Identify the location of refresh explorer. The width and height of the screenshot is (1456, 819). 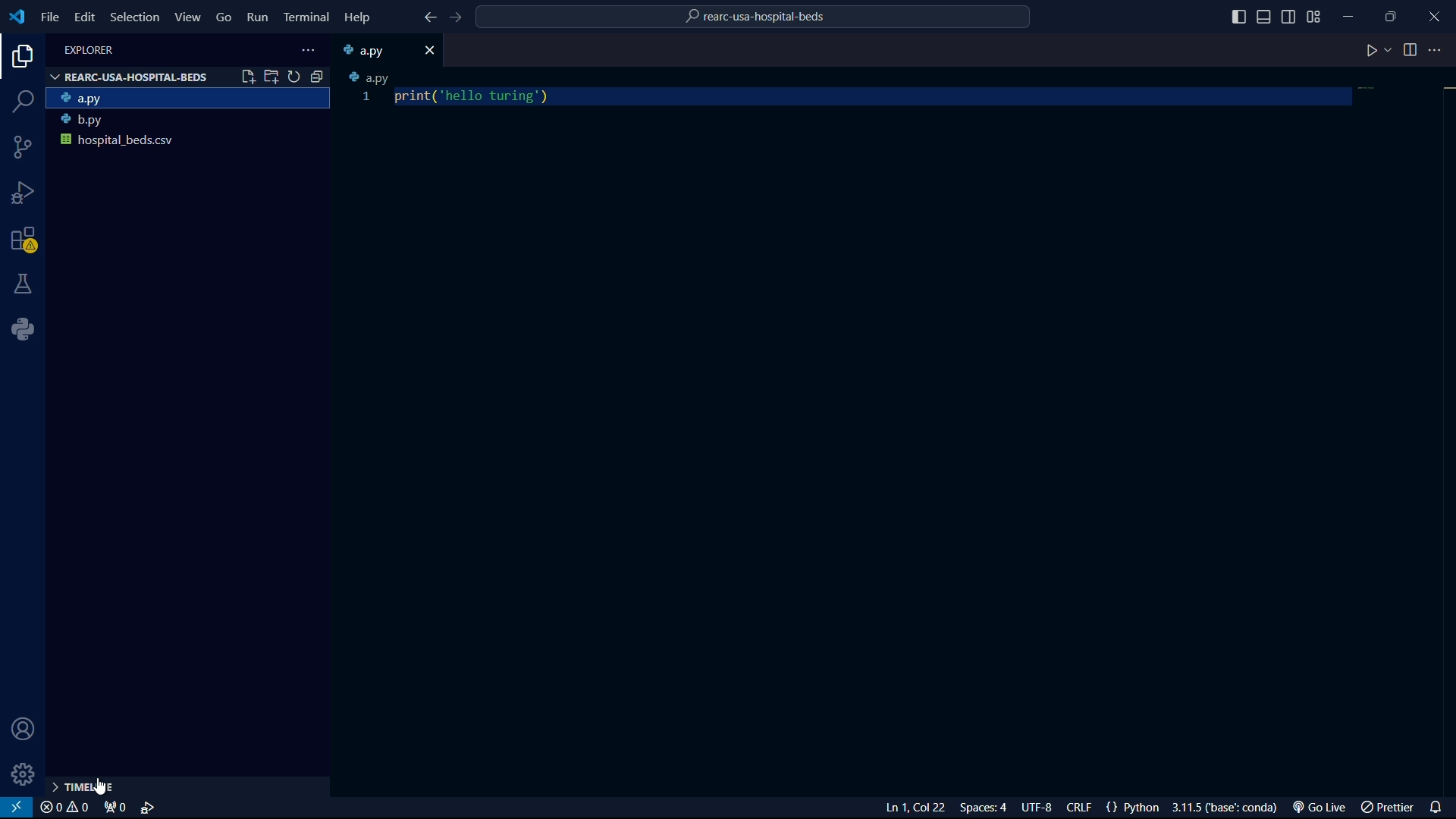
(295, 77).